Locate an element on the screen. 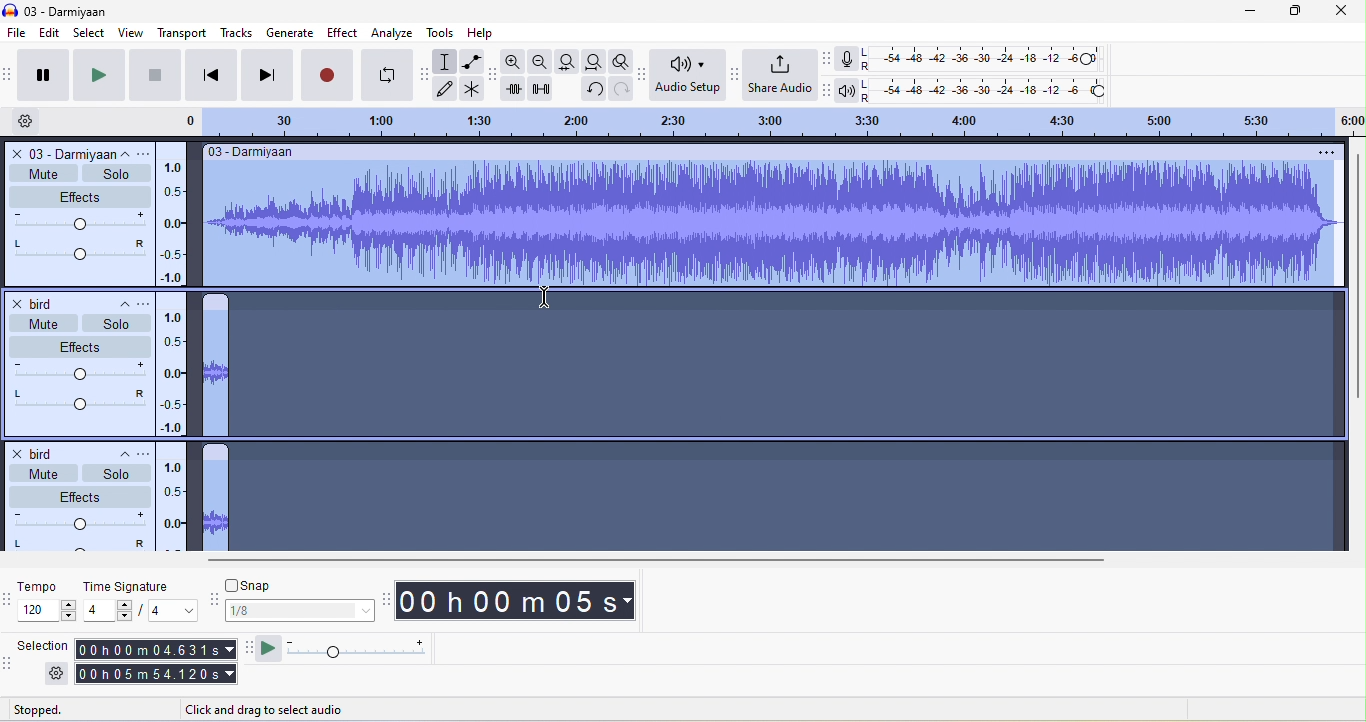 Image resolution: width=1366 pixels, height=722 pixels. edit is located at coordinates (54, 34).